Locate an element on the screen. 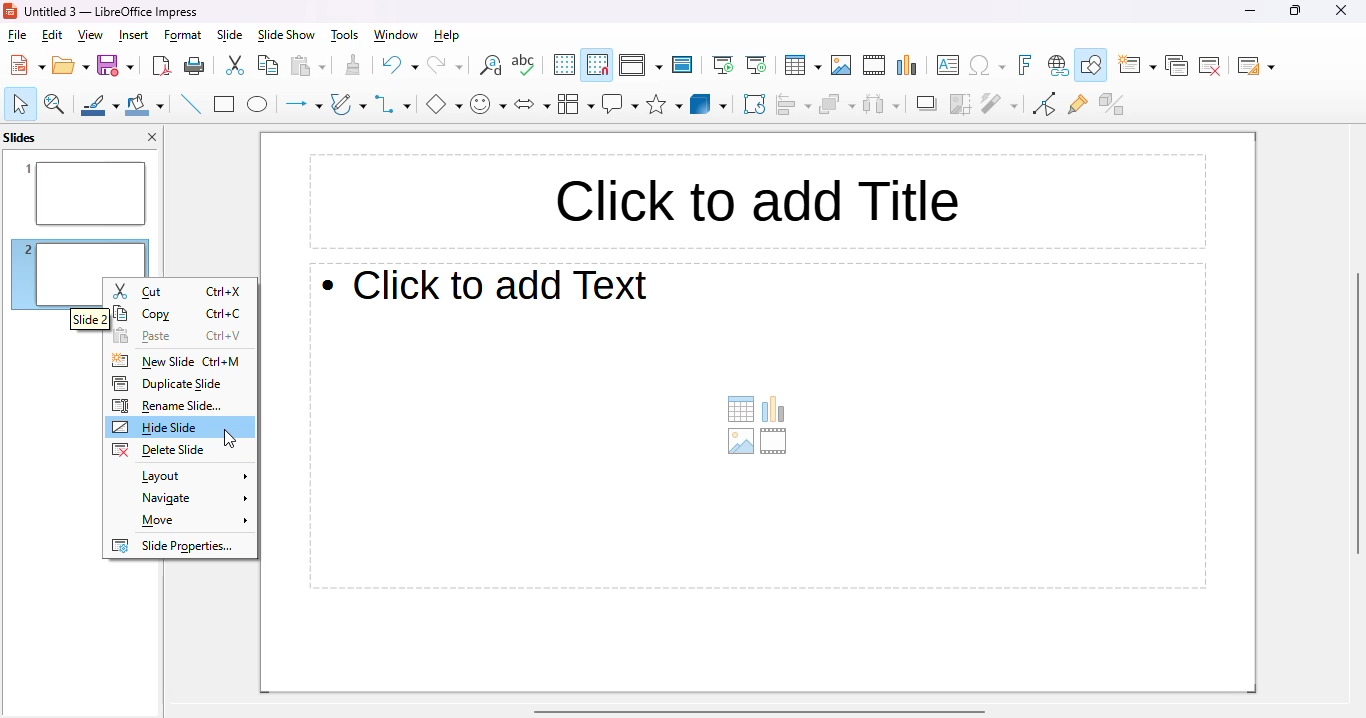 This screenshot has height=718, width=1366. move is located at coordinates (191, 522).